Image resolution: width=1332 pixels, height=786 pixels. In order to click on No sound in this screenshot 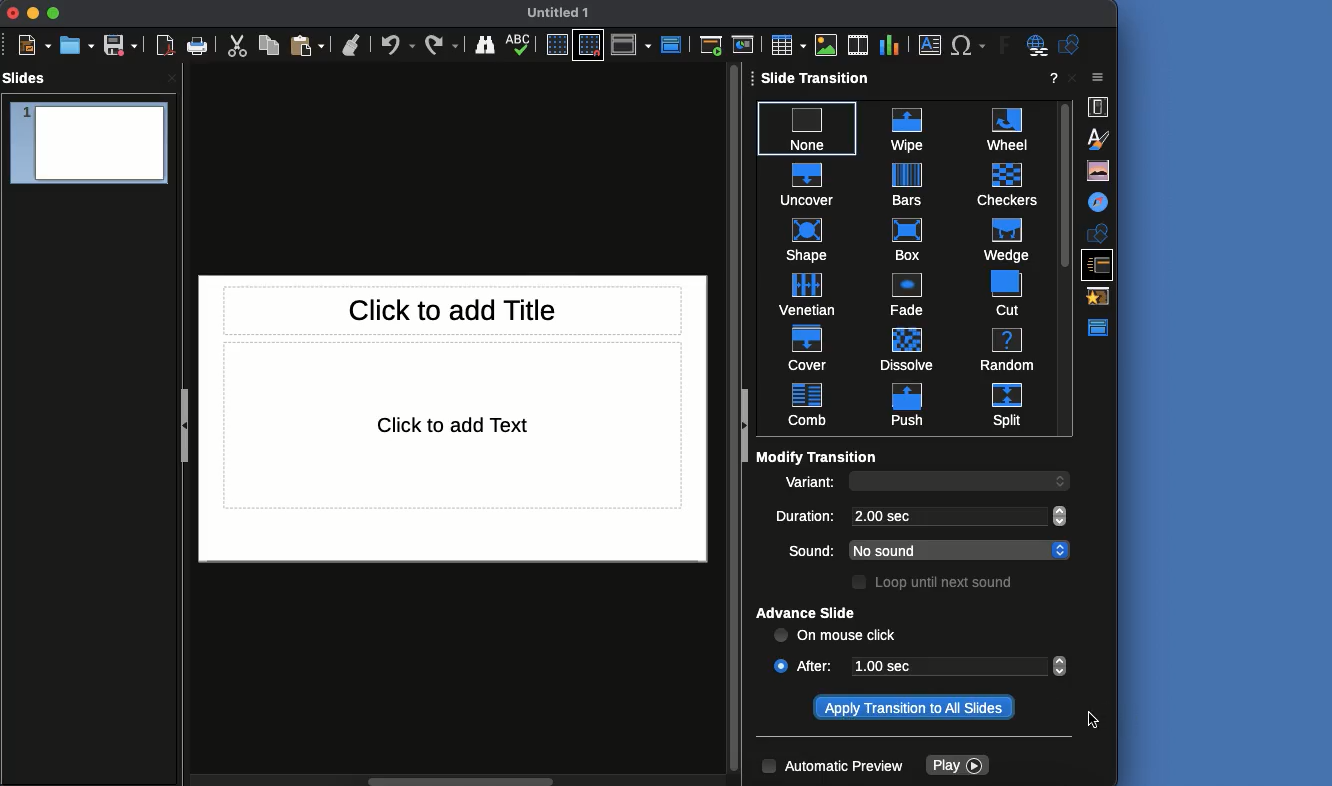, I will do `click(944, 550)`.